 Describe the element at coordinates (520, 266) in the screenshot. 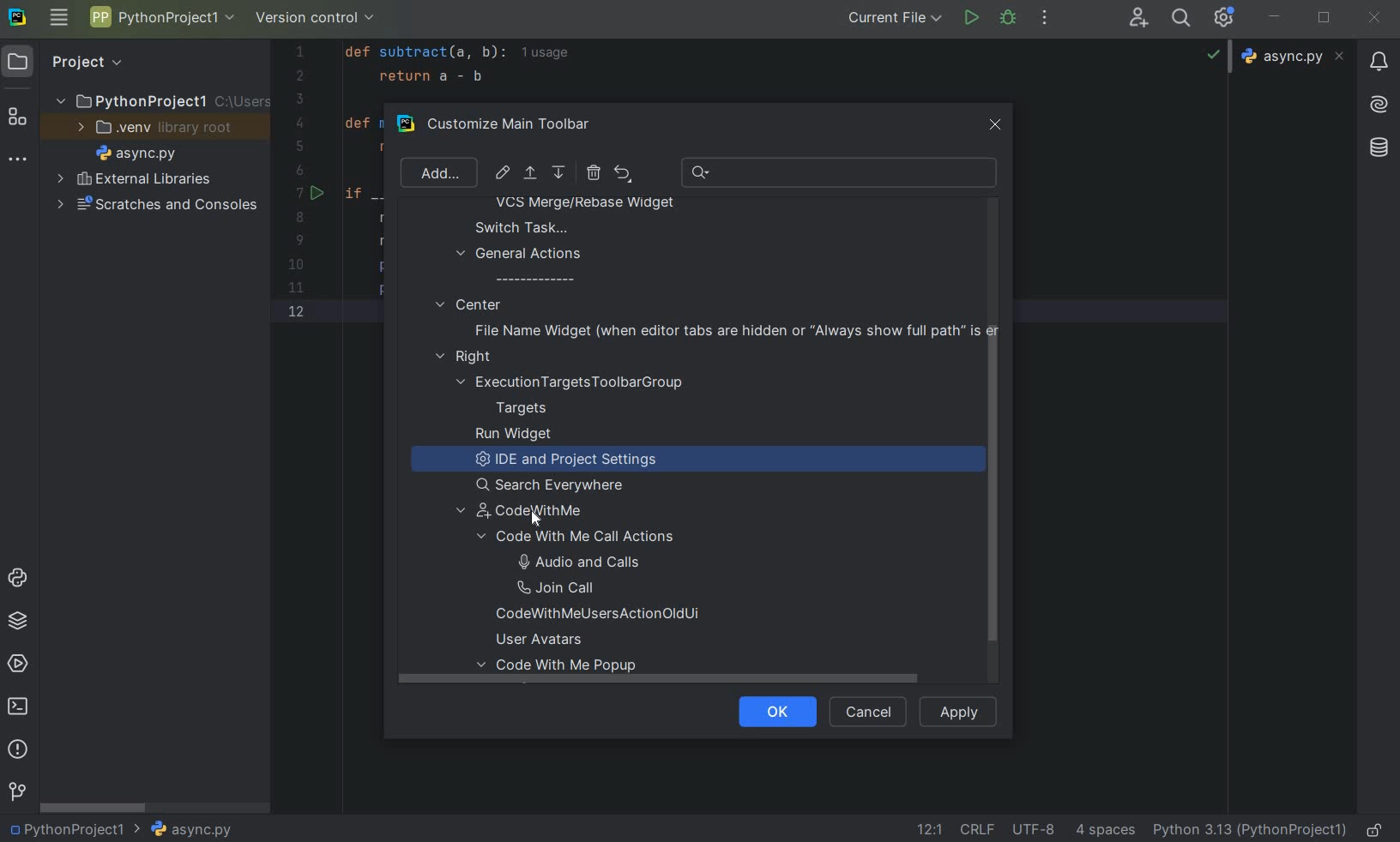

I see `general actions` at that location.